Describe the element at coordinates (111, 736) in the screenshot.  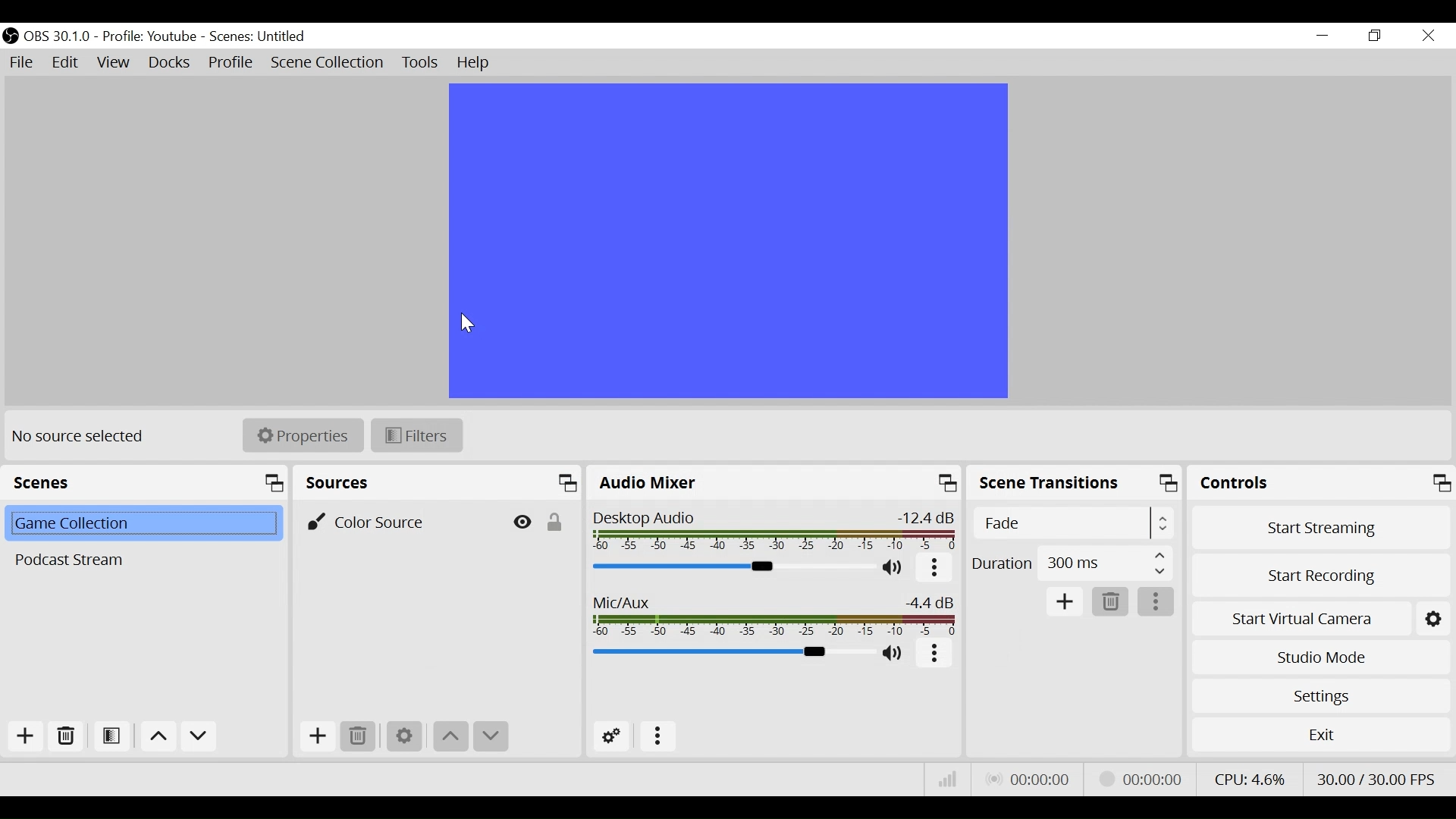
I see `Open Scene Filter` at that location.